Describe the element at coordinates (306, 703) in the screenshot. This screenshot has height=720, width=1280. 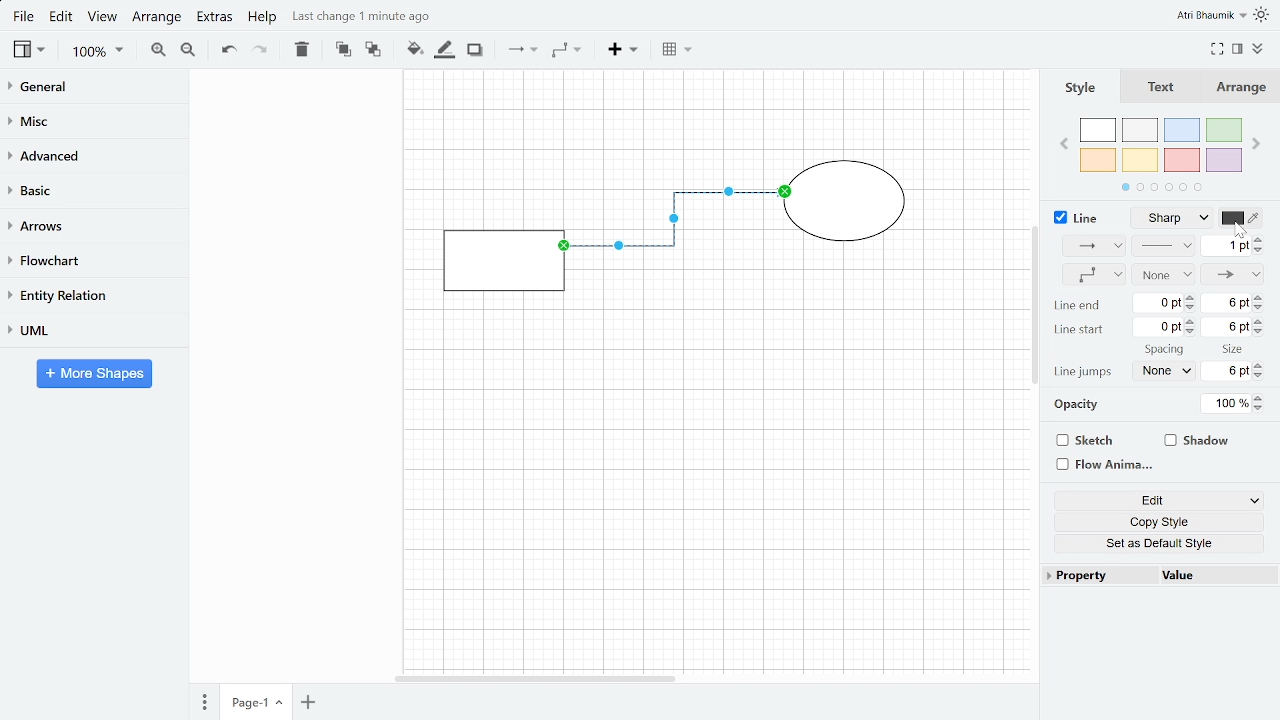
I see `Current page` at that location.